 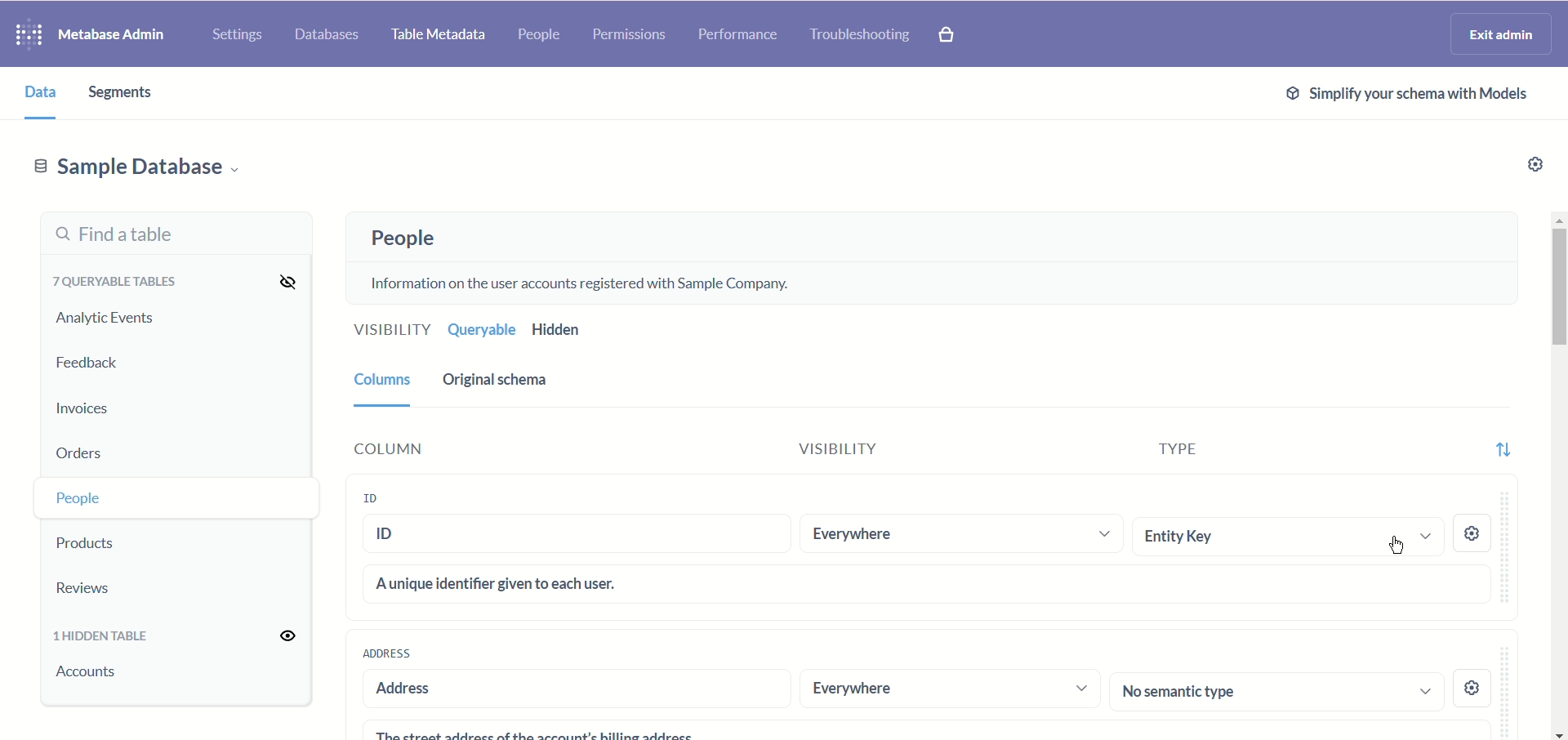 I want to click on Exit admin, so click(x=1503, y=33).